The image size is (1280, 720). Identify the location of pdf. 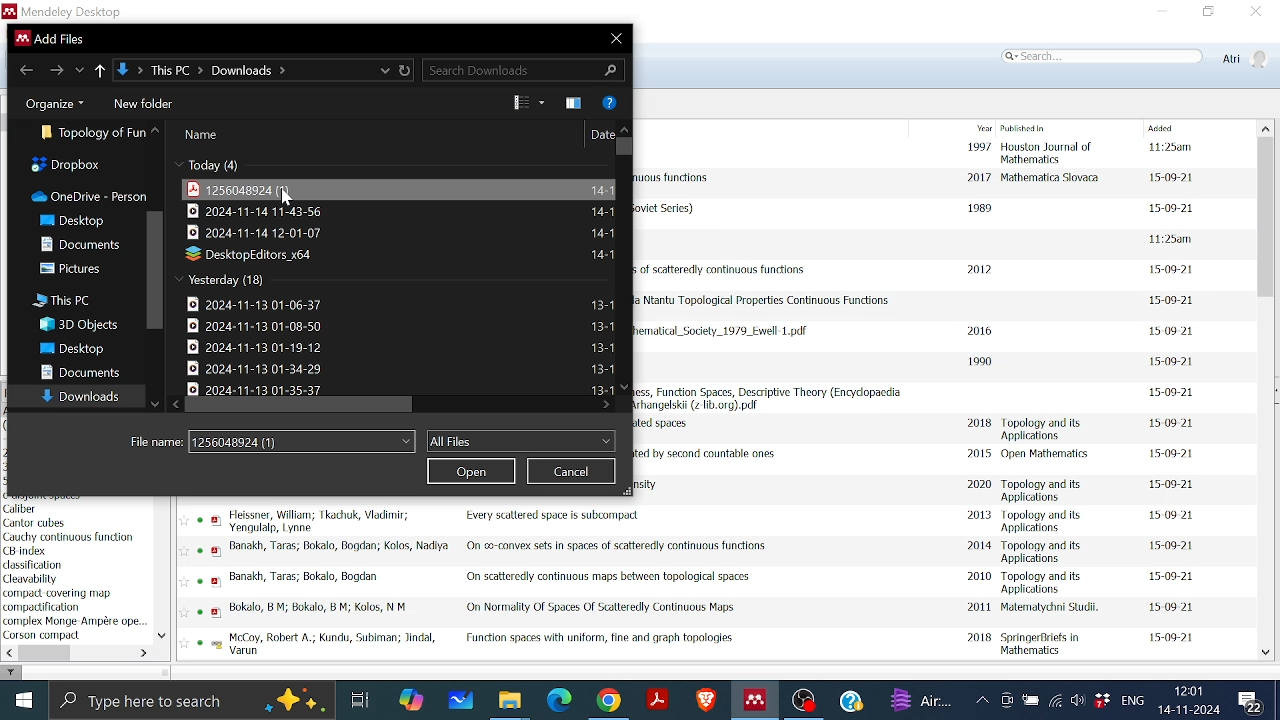
(220, 521).